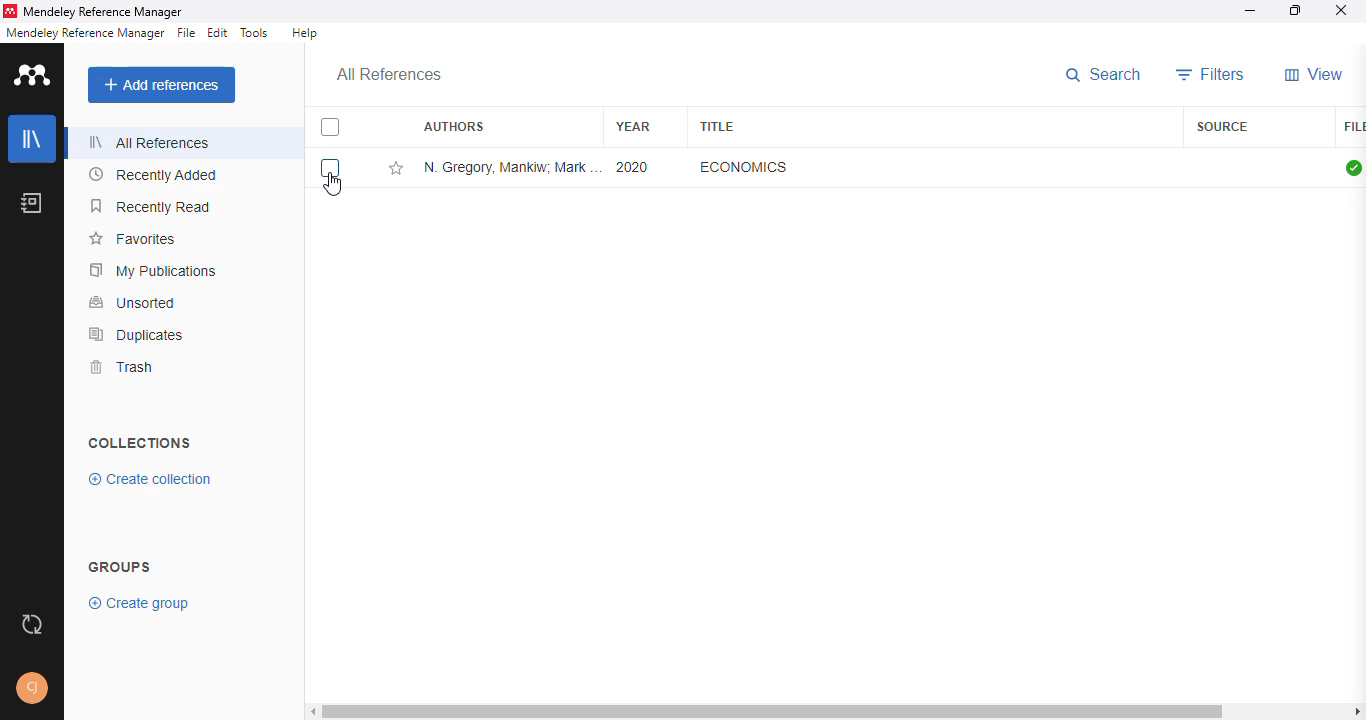 The width and height of the screenshot is (1366, 720). I want to click on library, so click(32, 137).